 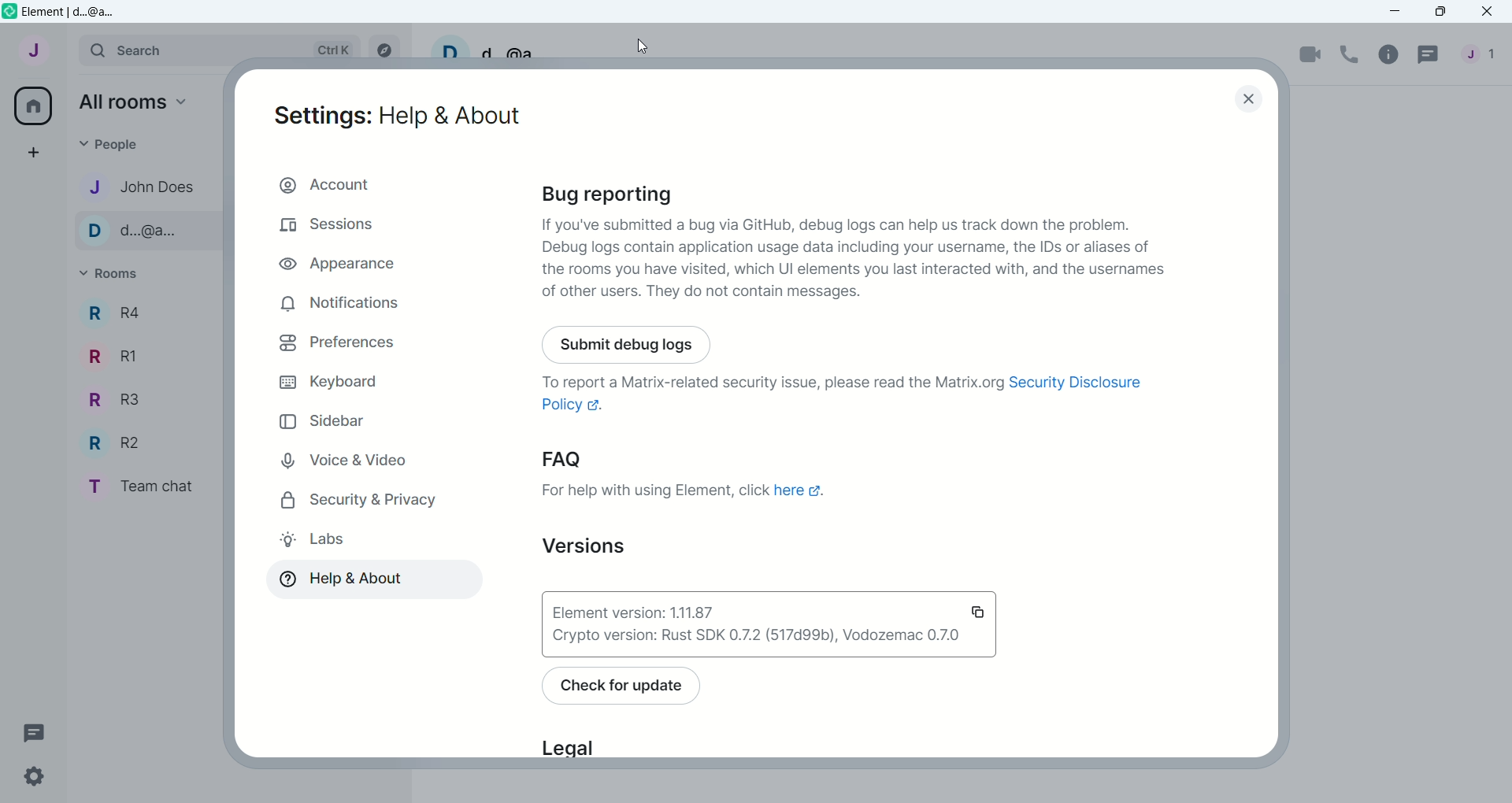 What do you see at coordinates (127, 102) in the screenshot?
I see `Home options` at bounding box center [127, 102].